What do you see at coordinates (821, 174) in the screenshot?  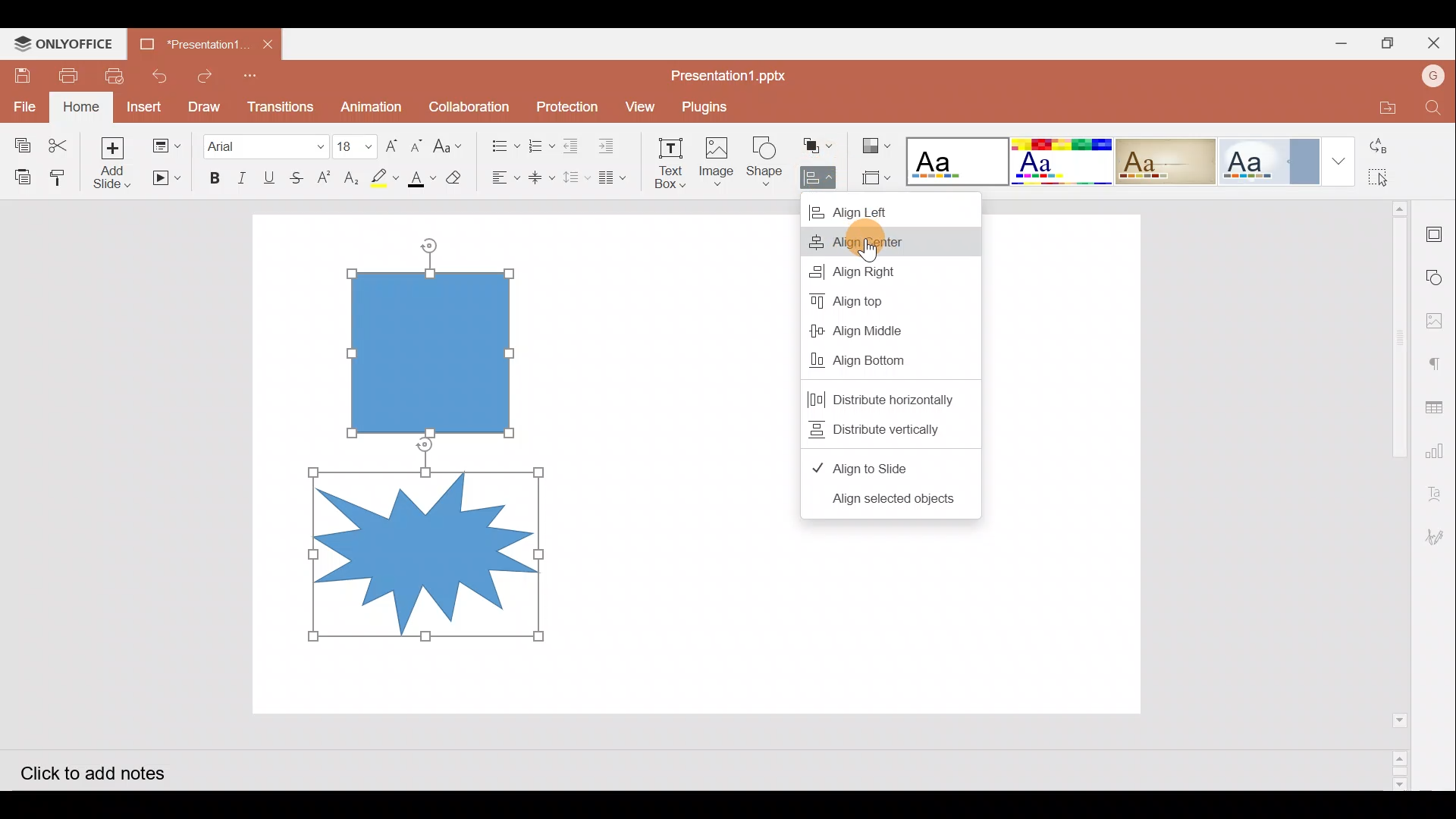 I see `Align shape` at bounding box center [821, 174].